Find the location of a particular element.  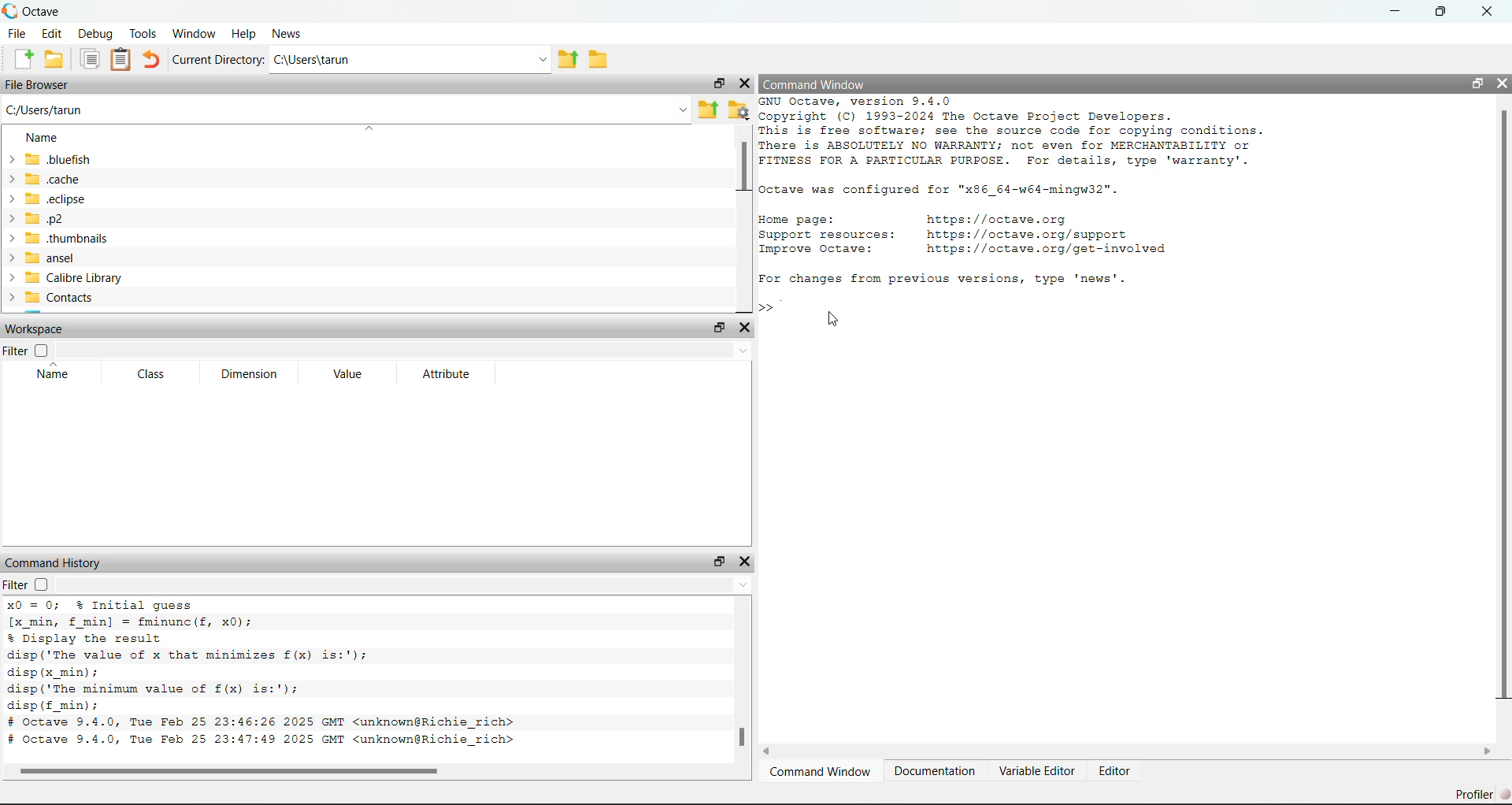

Edit is located at coordinates (51, 35).